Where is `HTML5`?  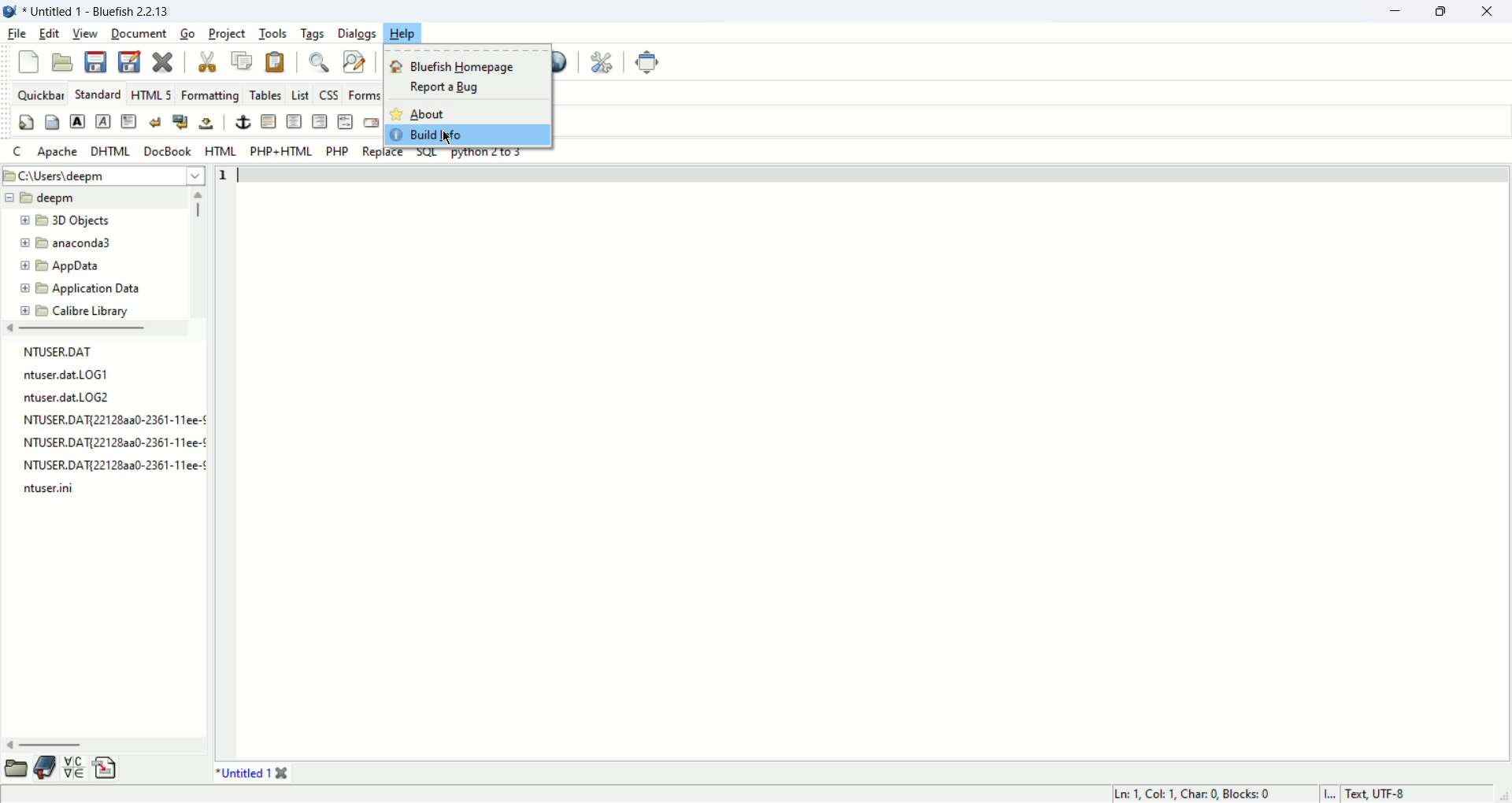 HTML5 is located at coordinates (150, 94).